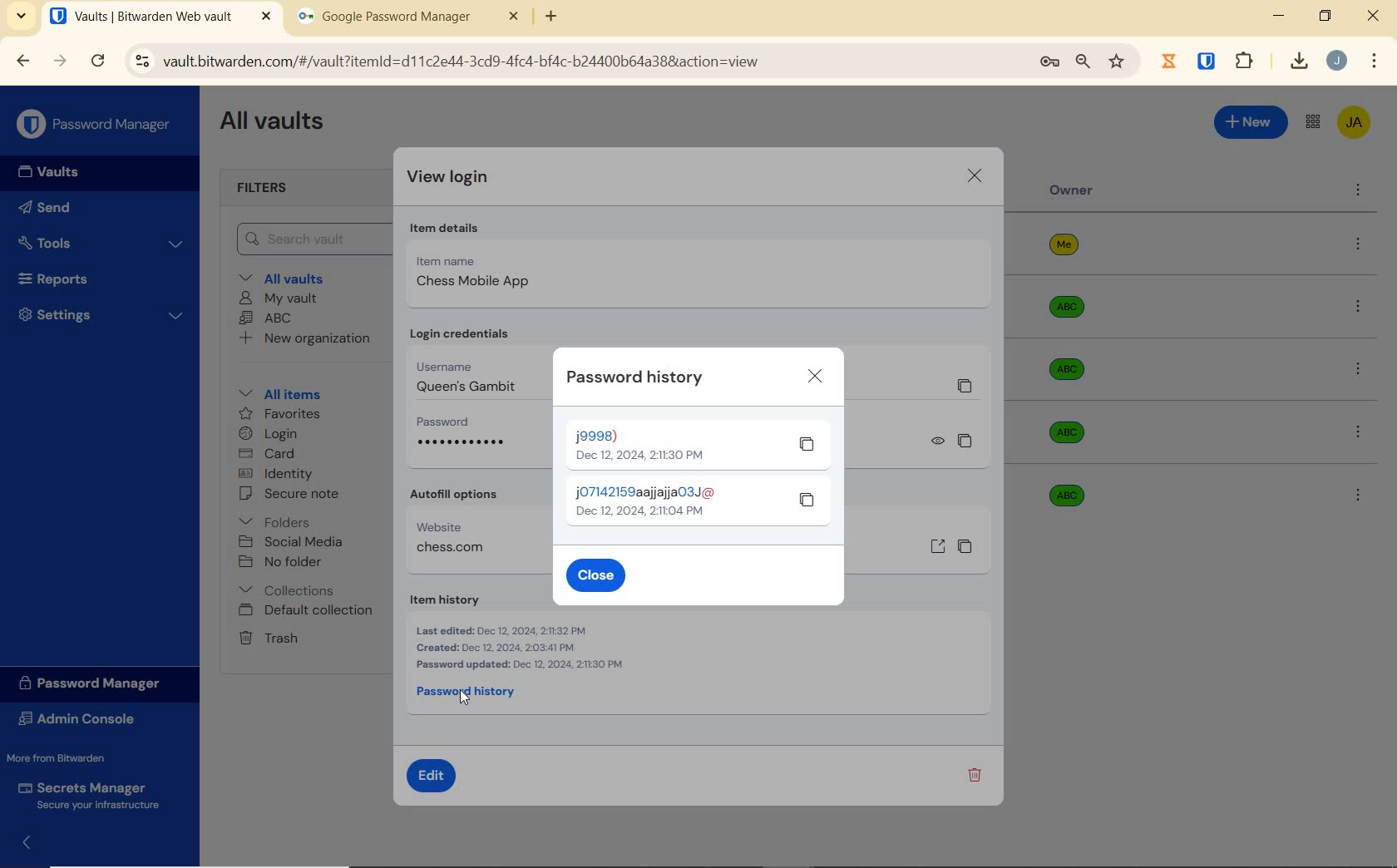 Image resolution: width=1397 pixels, height=868 pixels. What do you see at coordinates (964, 389) in the screenshot?
I see `copy` at bounding box center [964, 389].